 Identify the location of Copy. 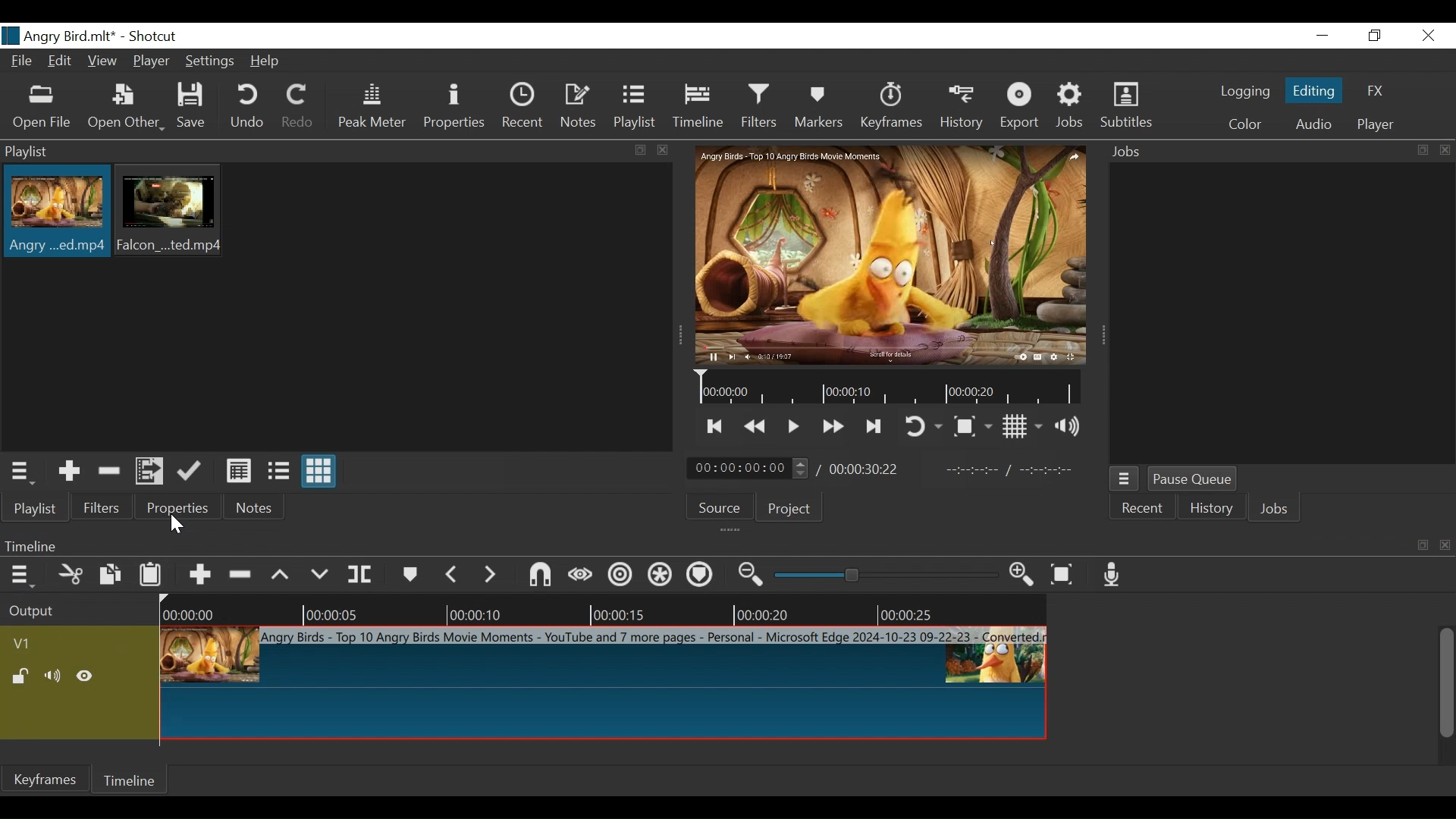
(113, 576).